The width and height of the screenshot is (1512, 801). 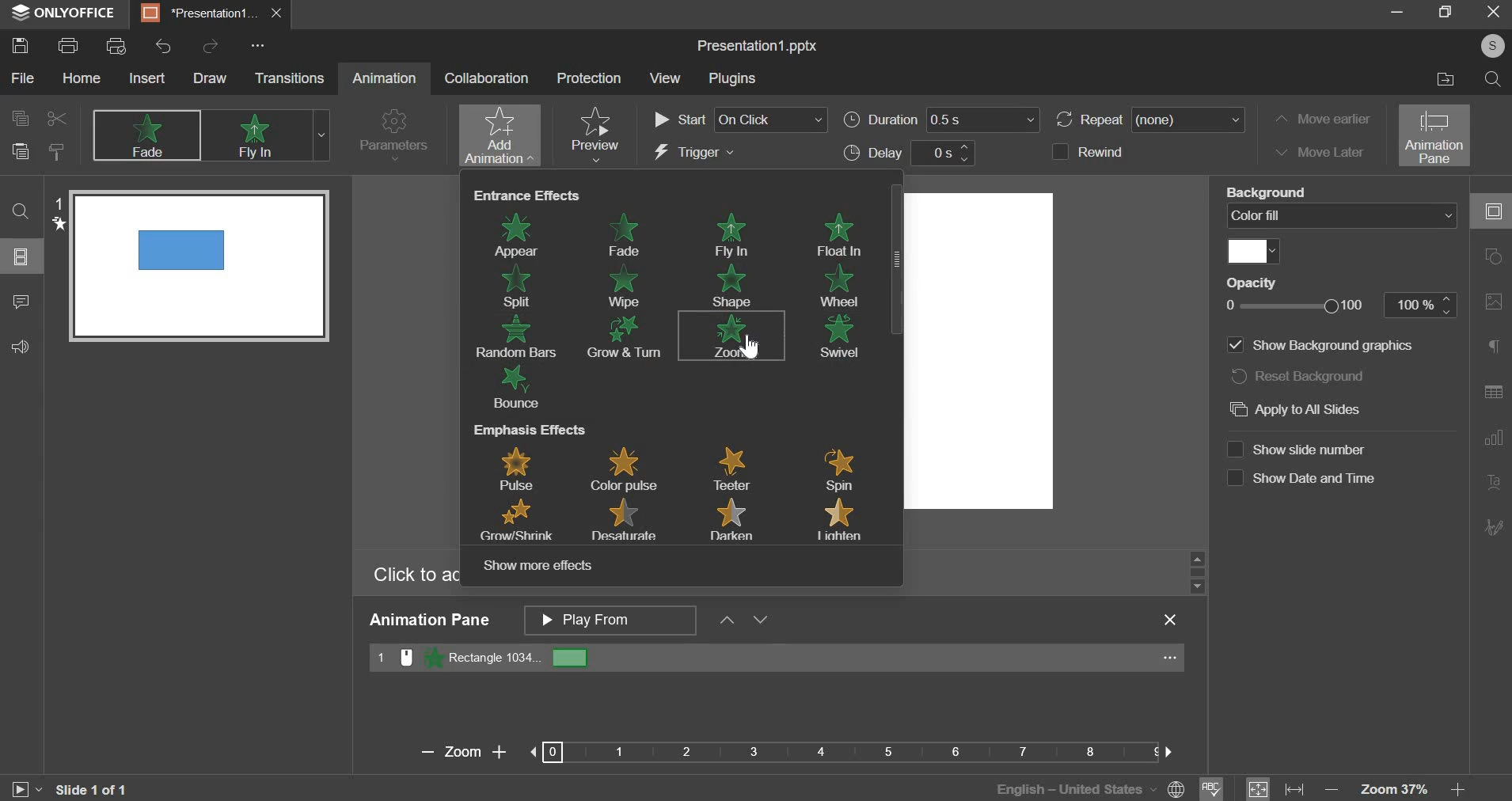 I want to click on fade, so click(x=628, y=237).